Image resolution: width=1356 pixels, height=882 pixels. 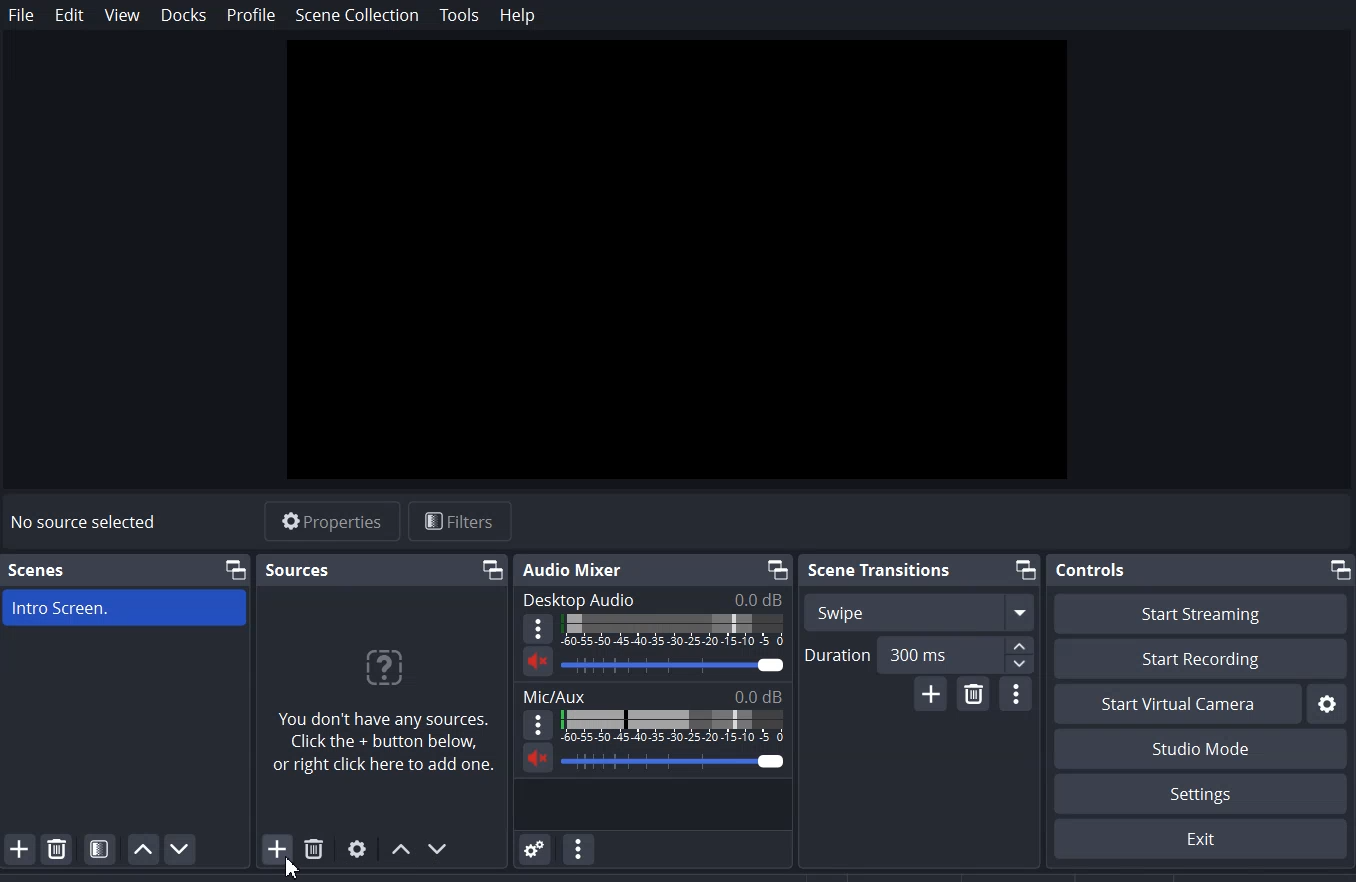 What do you see at coordinates (100, 849) in the screenshot?
I see `Open scene filter` at bounding box center [100, 849].